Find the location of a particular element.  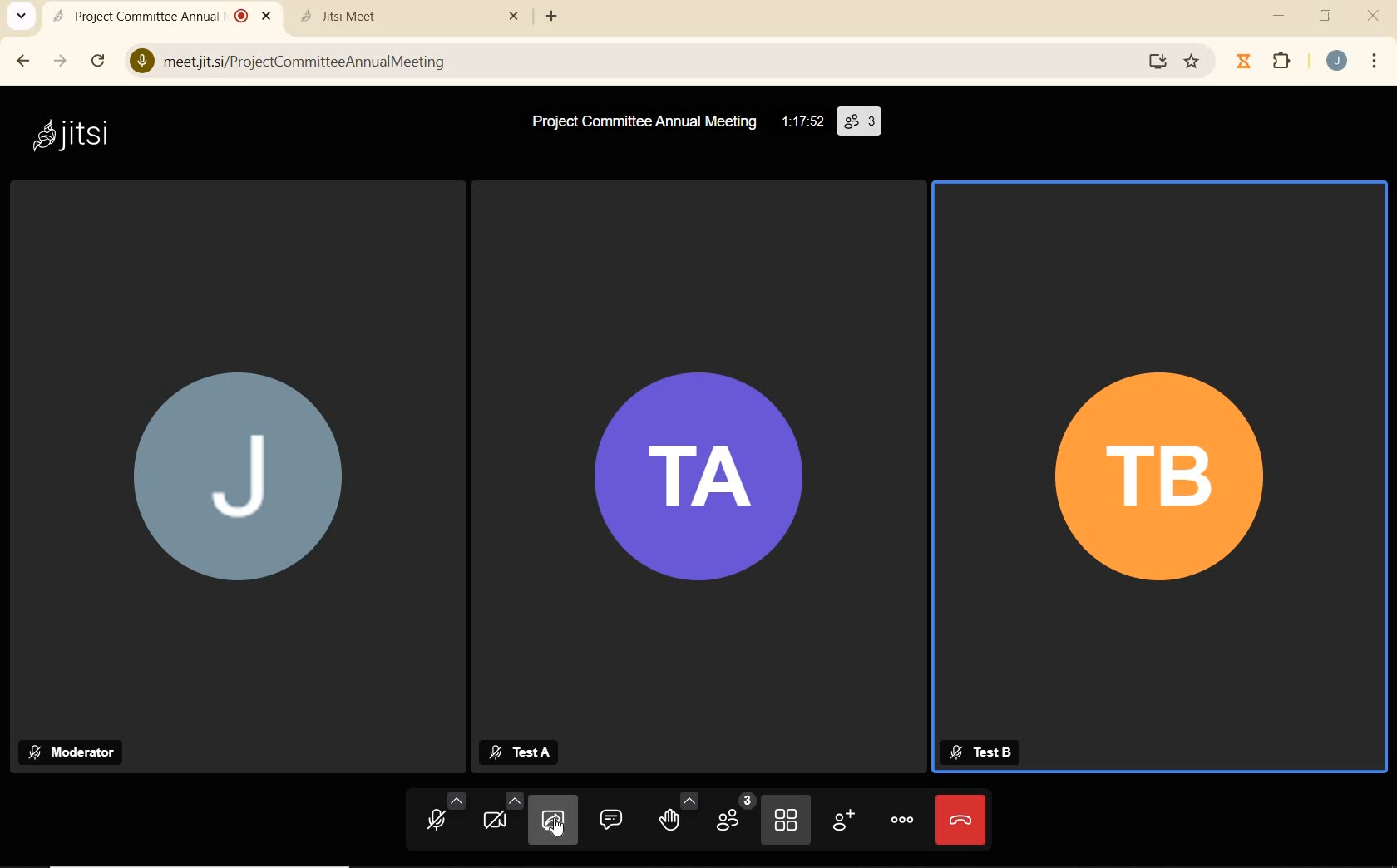

FORWARD is located at coordinates (62, 61).